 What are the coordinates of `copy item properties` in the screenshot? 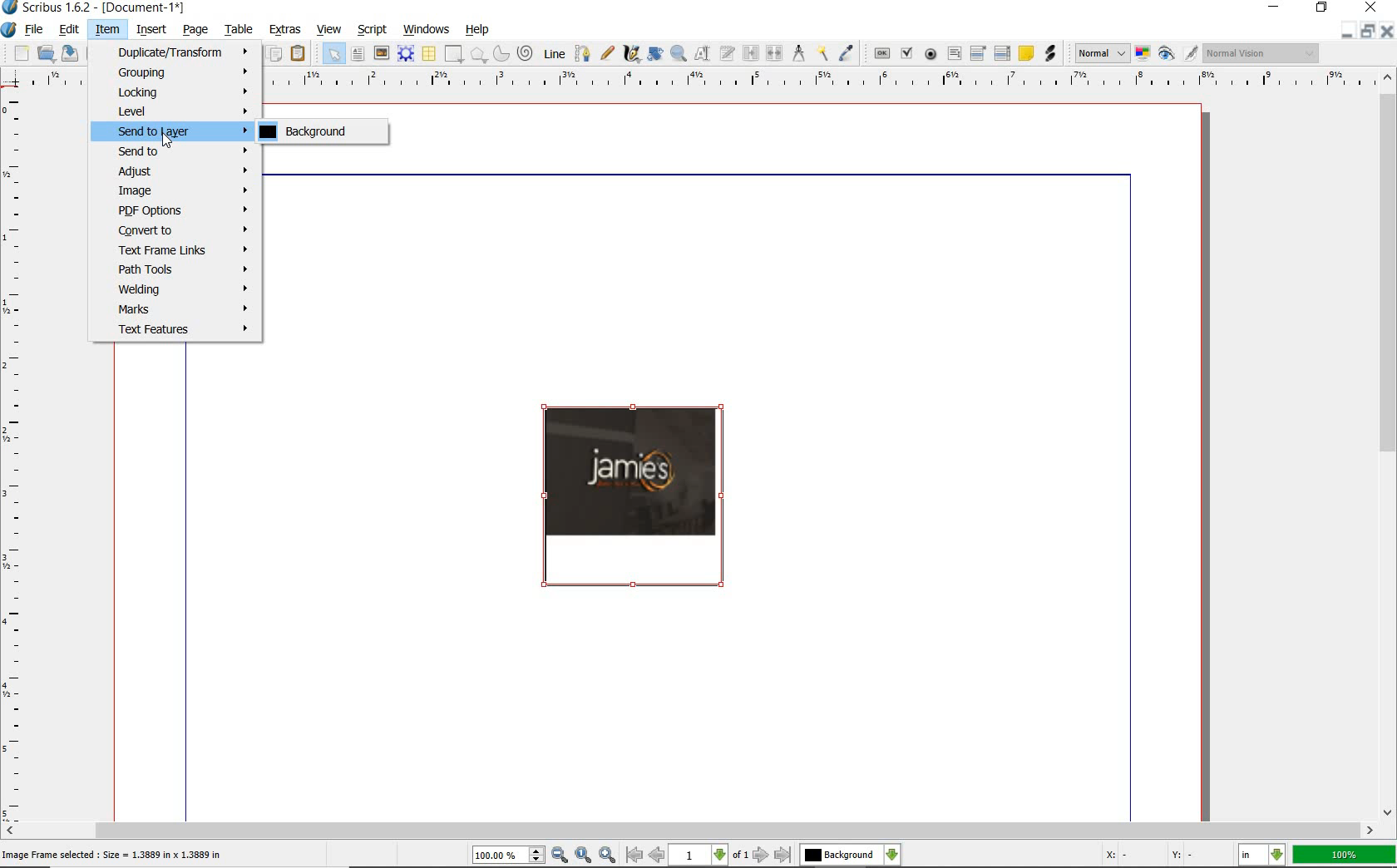 It's located at (822, 52).